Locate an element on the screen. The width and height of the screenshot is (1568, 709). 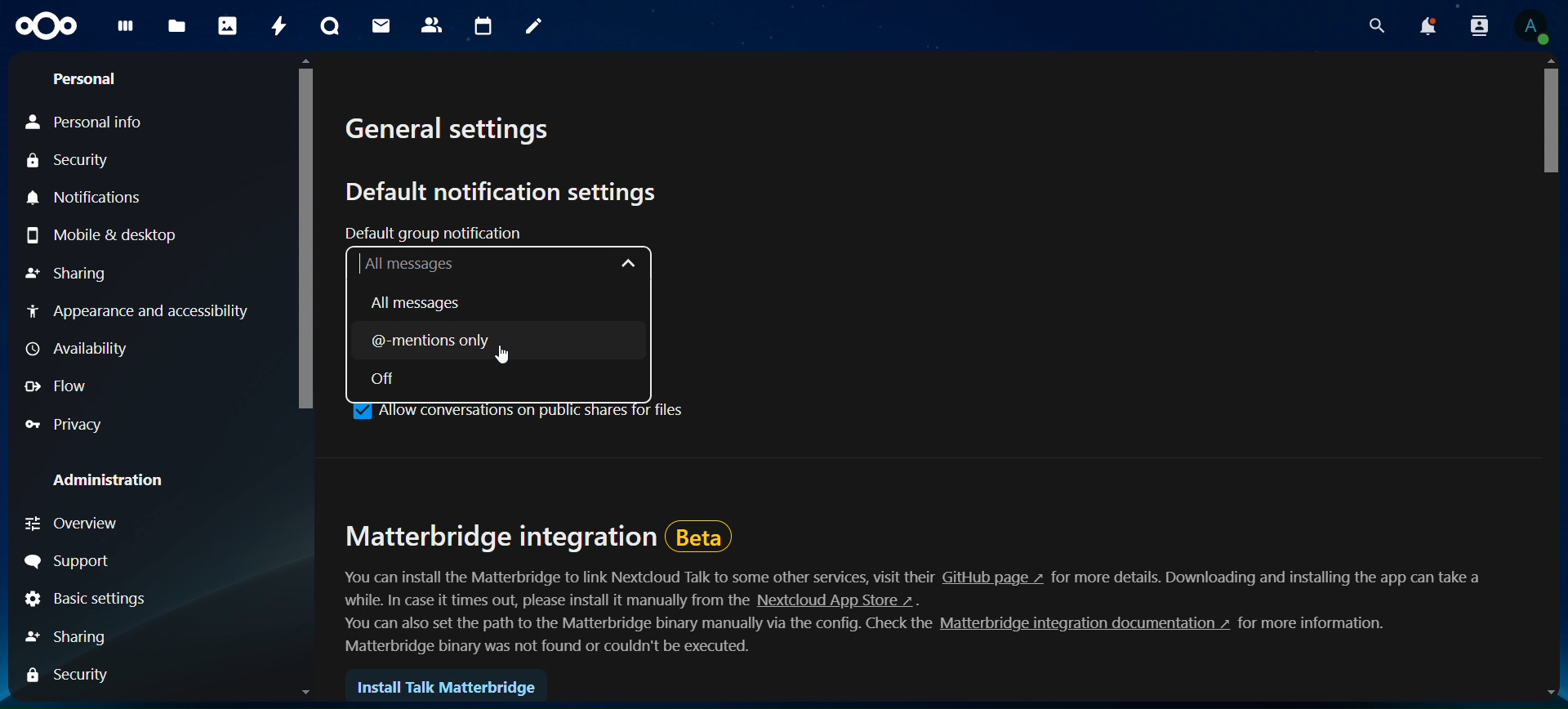
availability is located at coordinates (77, 350).